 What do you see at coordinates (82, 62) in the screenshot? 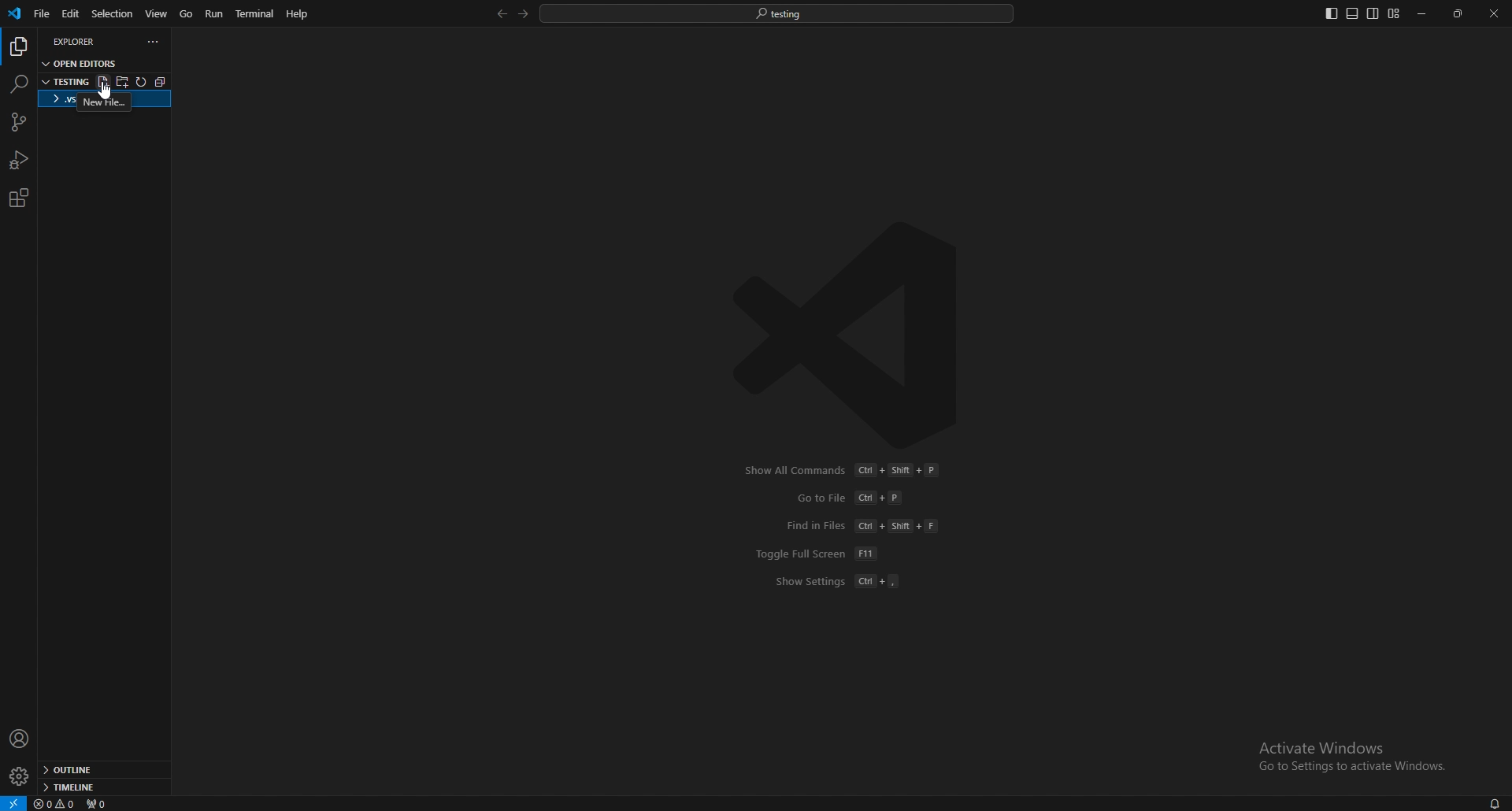
I see `open editors` at bounding box center [82, 62].